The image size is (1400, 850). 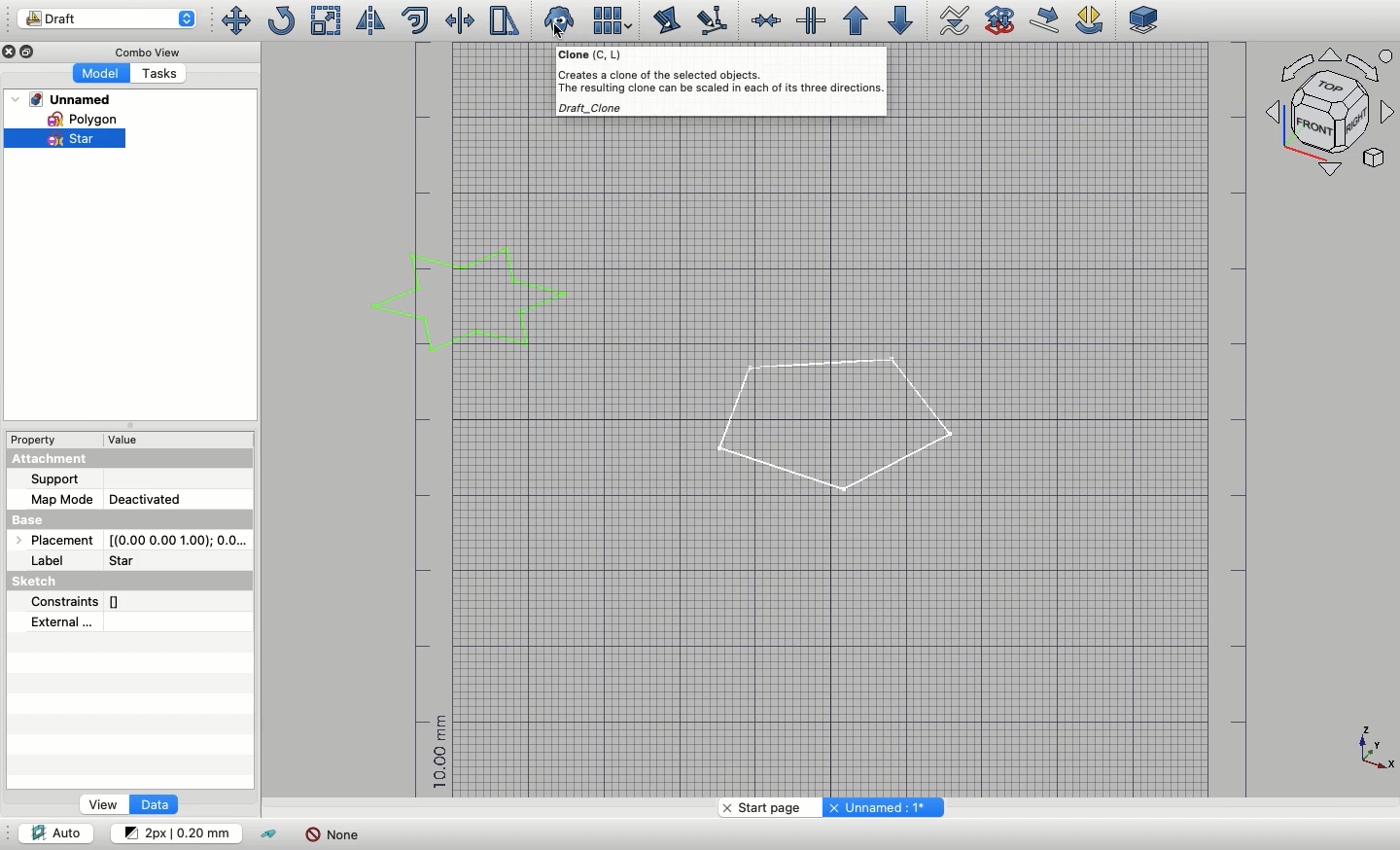 What do you see at coordinates (150, 499) in the screenshot?
I see `Deactivated` at bounding box center [150, 499].